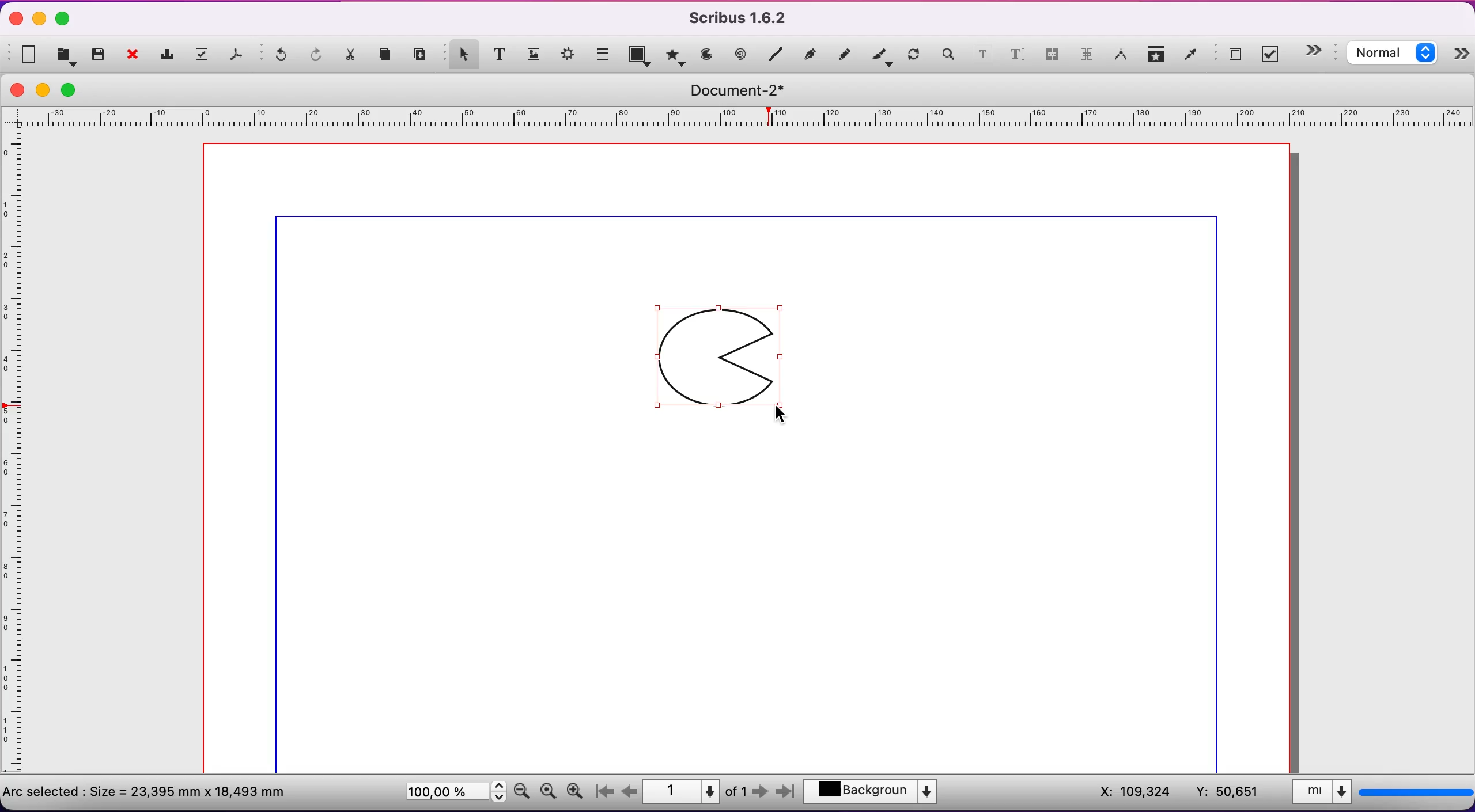  Describe the element at coordinates (75, 89) in the screenshot. I see `maximize` at that location.